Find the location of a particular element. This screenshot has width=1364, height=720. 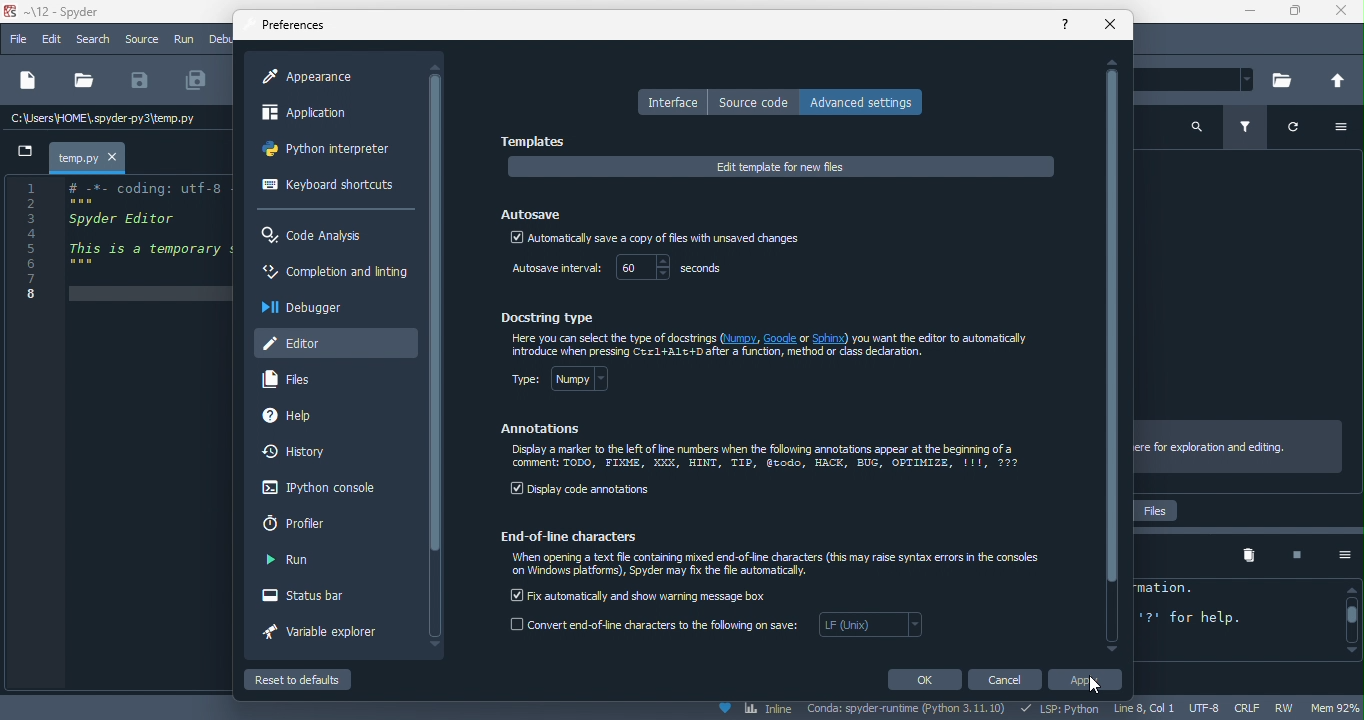

save all is located at coordinates (197, 81).